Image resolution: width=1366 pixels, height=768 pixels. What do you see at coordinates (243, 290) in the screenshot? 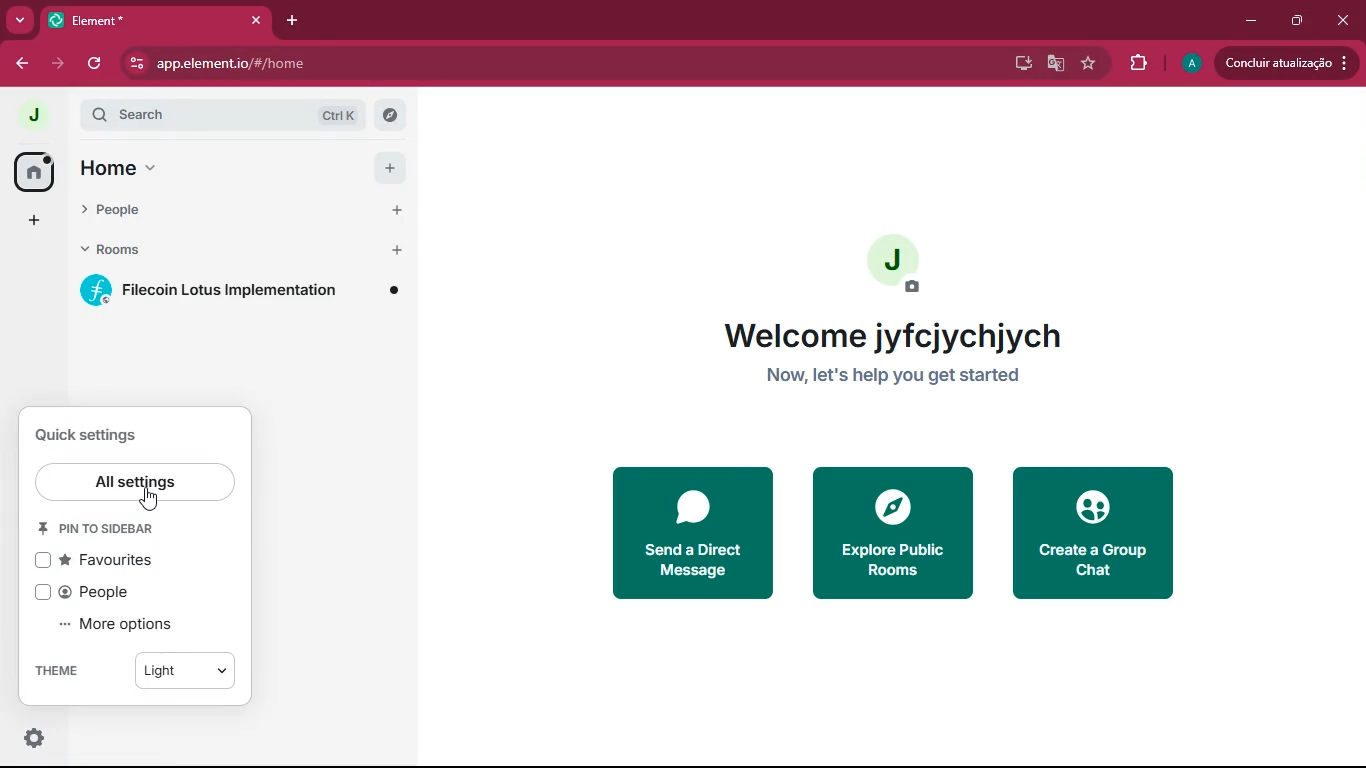
I see `filecoin lotus implementation` at bounding box center [243, 290].